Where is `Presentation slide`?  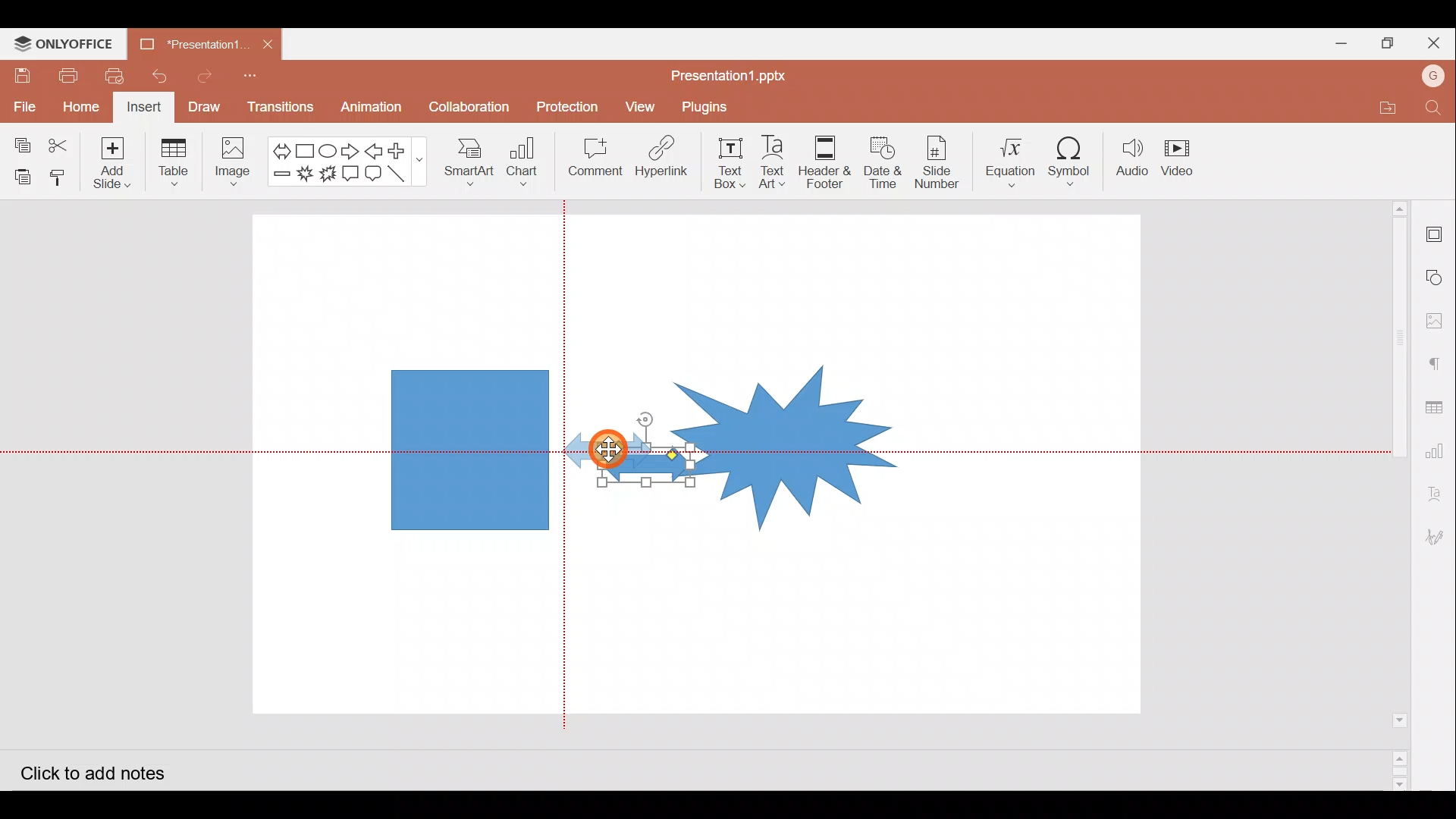 Presentation slide is located at coordinates (1014, 469).